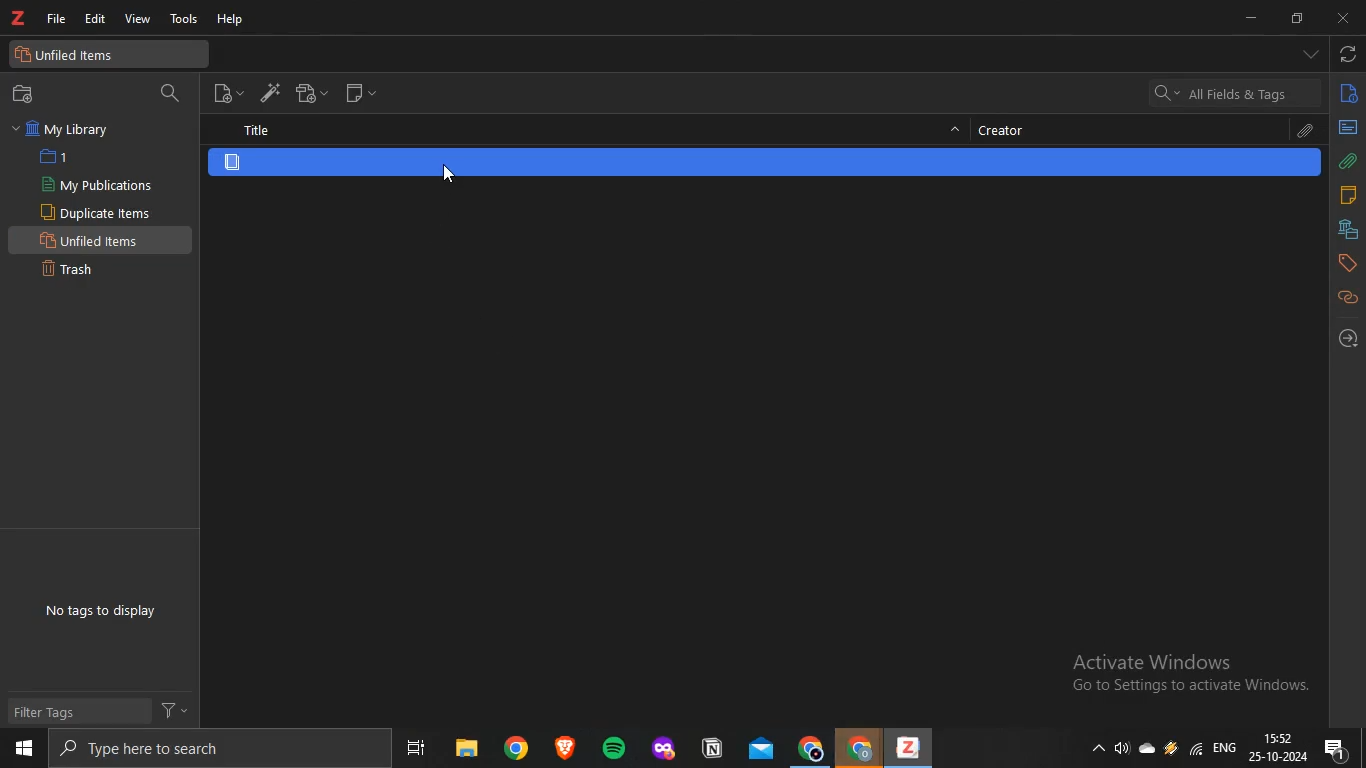 The width and height of the screenshot is (1366, 768). Describe the element at coordinates (24, 750) in the screenshot. I see `start` at that location.